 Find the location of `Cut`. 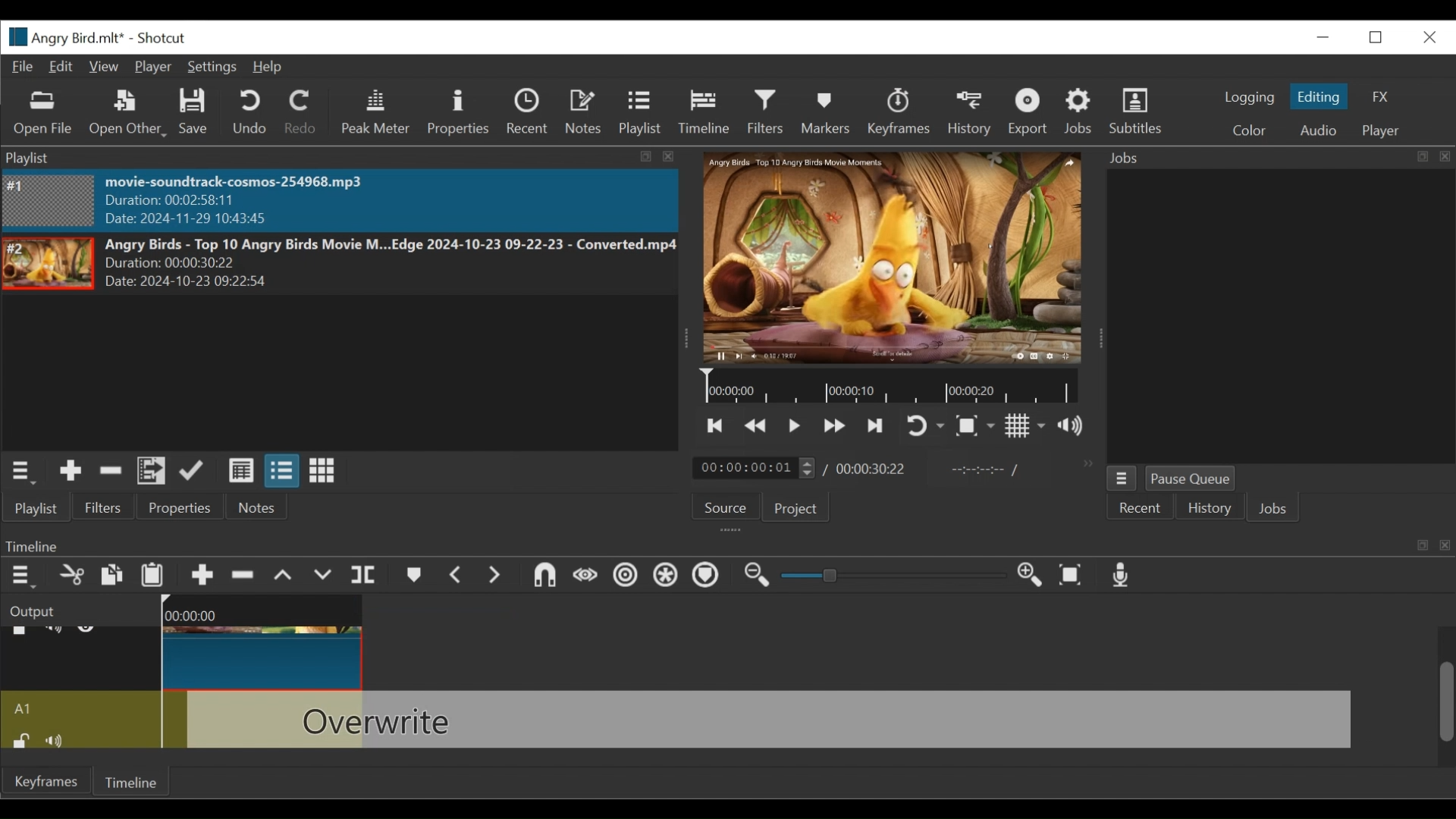

Cut is located at coordinates (71, 576).